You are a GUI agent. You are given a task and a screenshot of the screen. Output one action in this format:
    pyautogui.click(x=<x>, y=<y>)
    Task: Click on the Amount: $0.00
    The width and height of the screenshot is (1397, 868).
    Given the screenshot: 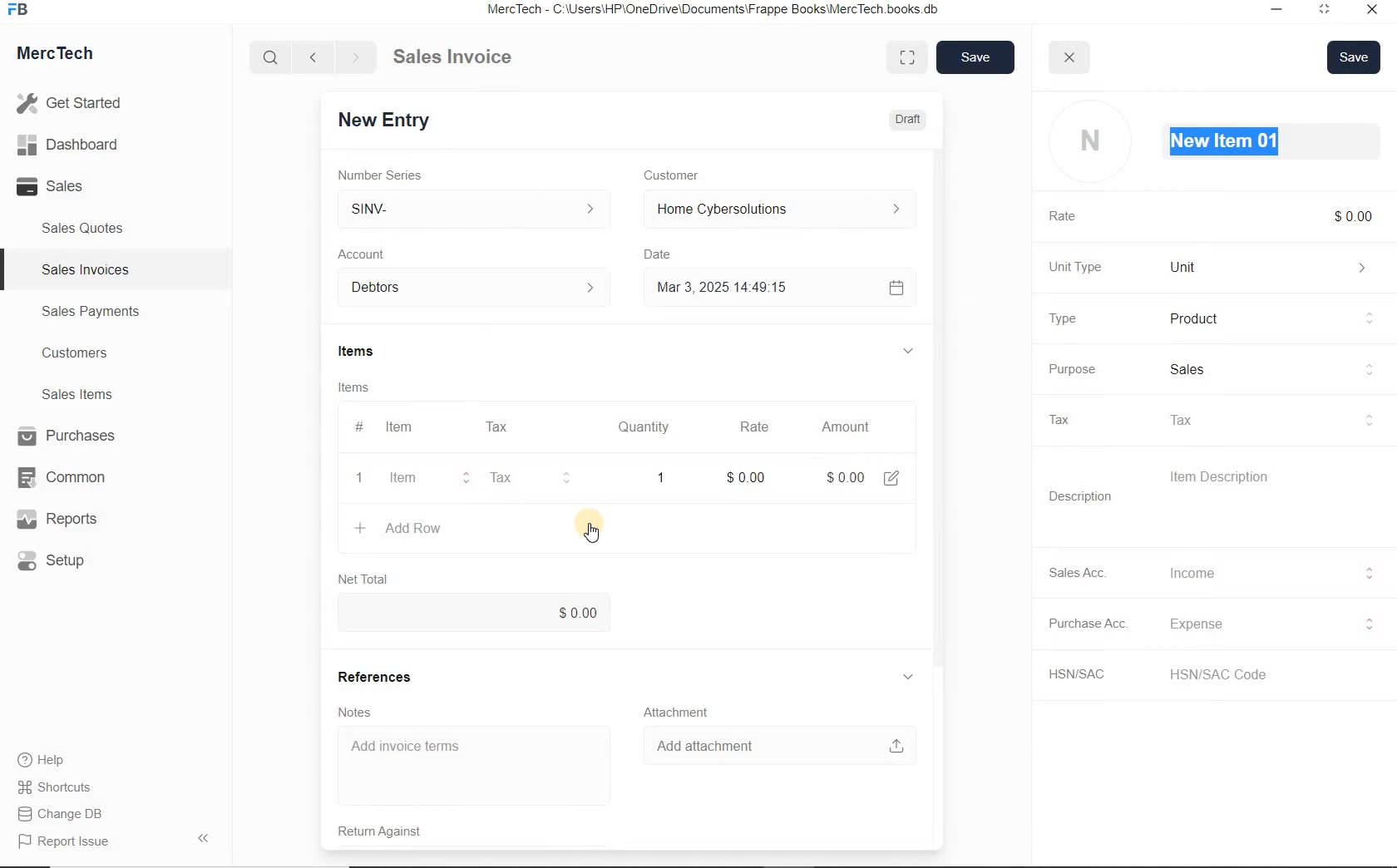 What is the action you would take?
    pyautogui.click(x=841, y=476)
    